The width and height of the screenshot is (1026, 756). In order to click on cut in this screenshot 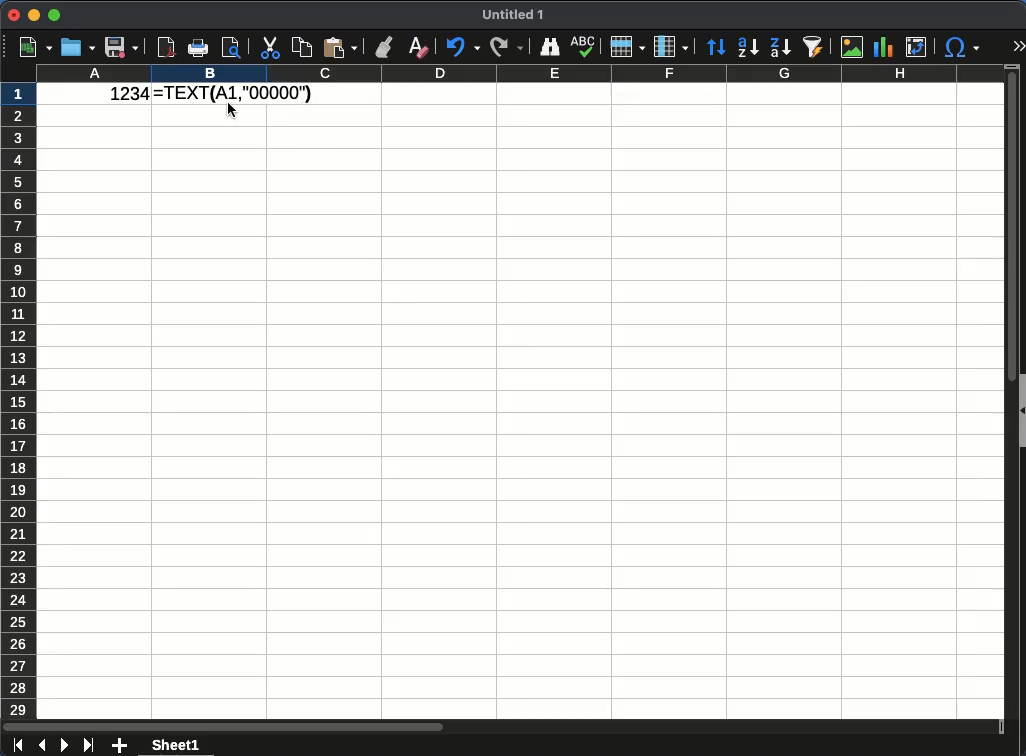, I will do `click(268, 48)`.